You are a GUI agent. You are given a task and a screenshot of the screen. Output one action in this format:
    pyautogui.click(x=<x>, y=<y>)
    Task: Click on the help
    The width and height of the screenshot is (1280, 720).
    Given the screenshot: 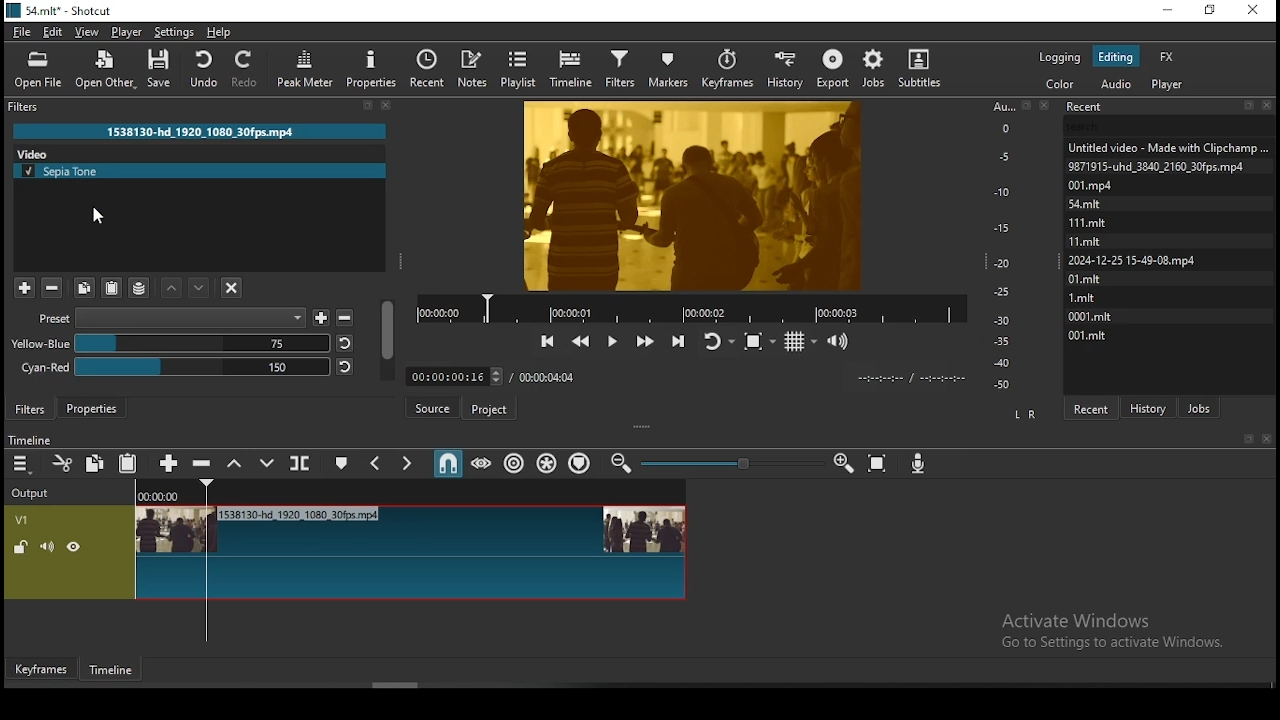 What is the action you would take?
    pyautogui.click(x=219, y=31)
    